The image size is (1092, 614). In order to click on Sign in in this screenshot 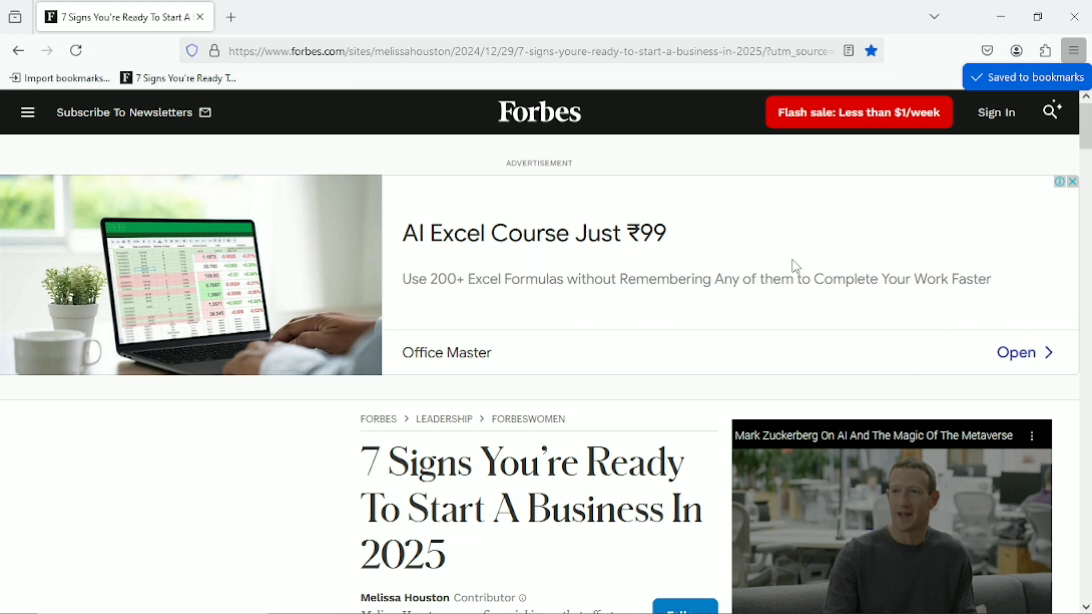, I will do `click(996, 114)`.